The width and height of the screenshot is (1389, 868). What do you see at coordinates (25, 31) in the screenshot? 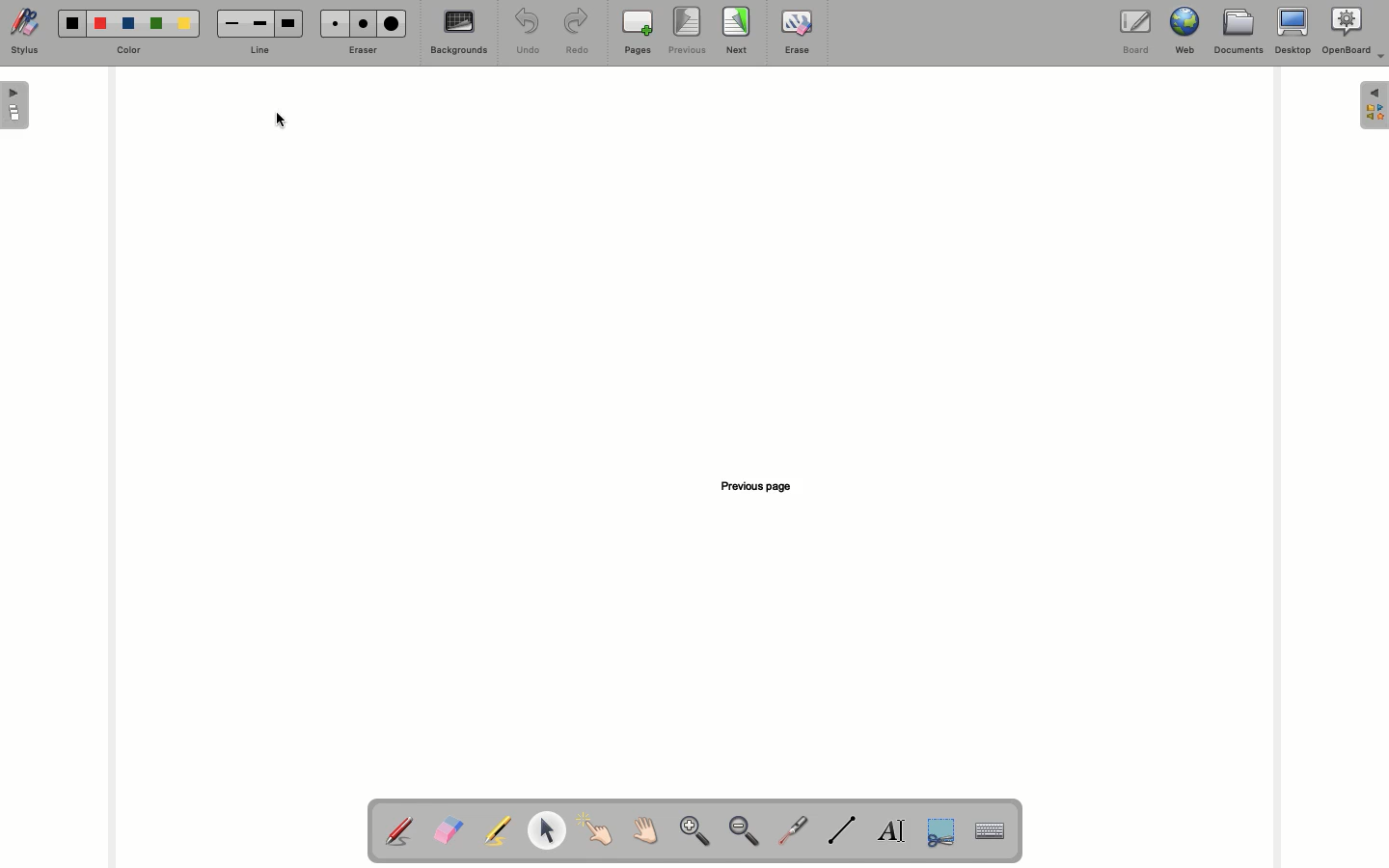
I see `Stylus` at bounding box center [25, 31].